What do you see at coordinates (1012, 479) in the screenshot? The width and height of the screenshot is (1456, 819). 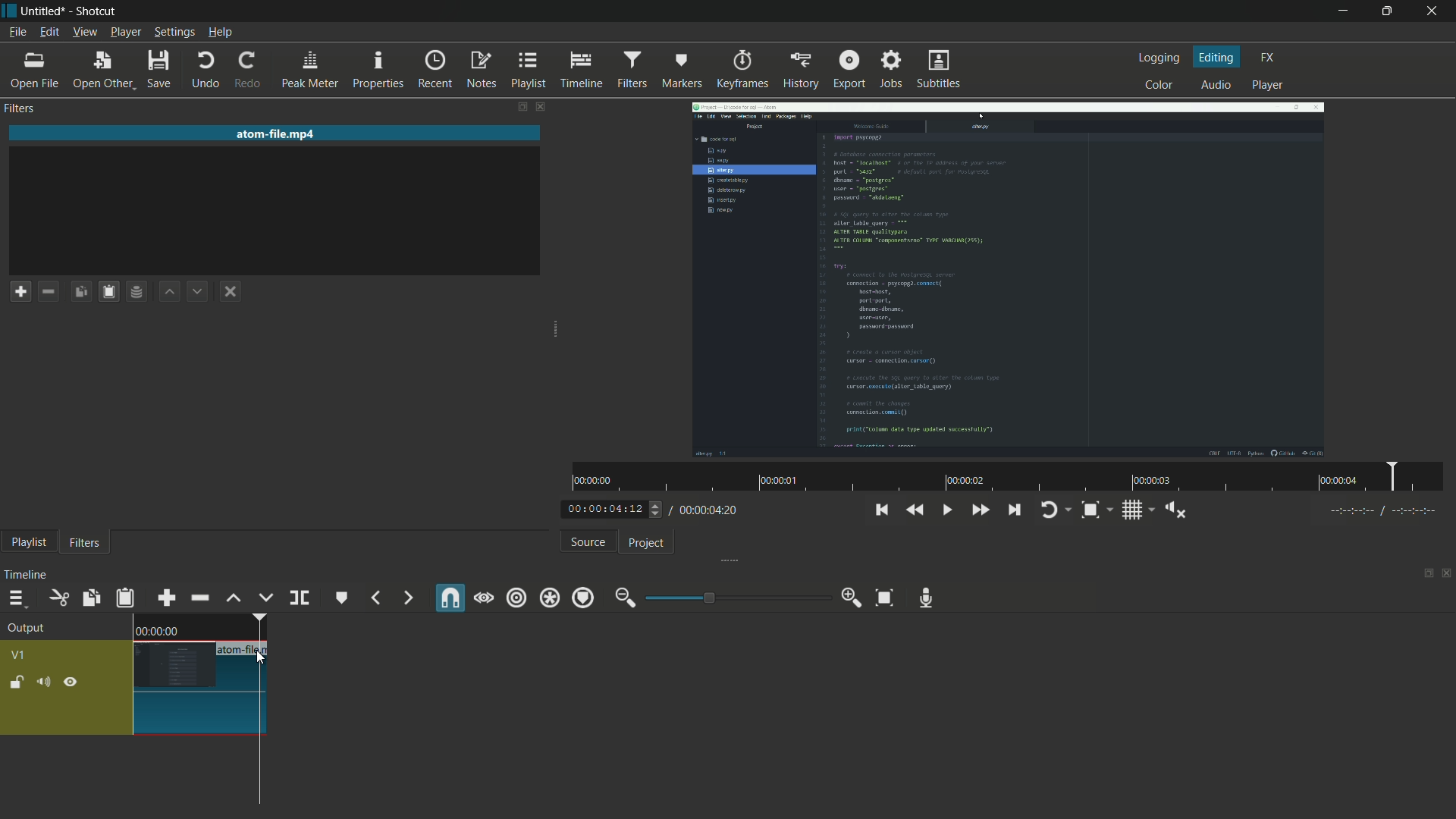 I see `time` at bounding box center [1012, 479].